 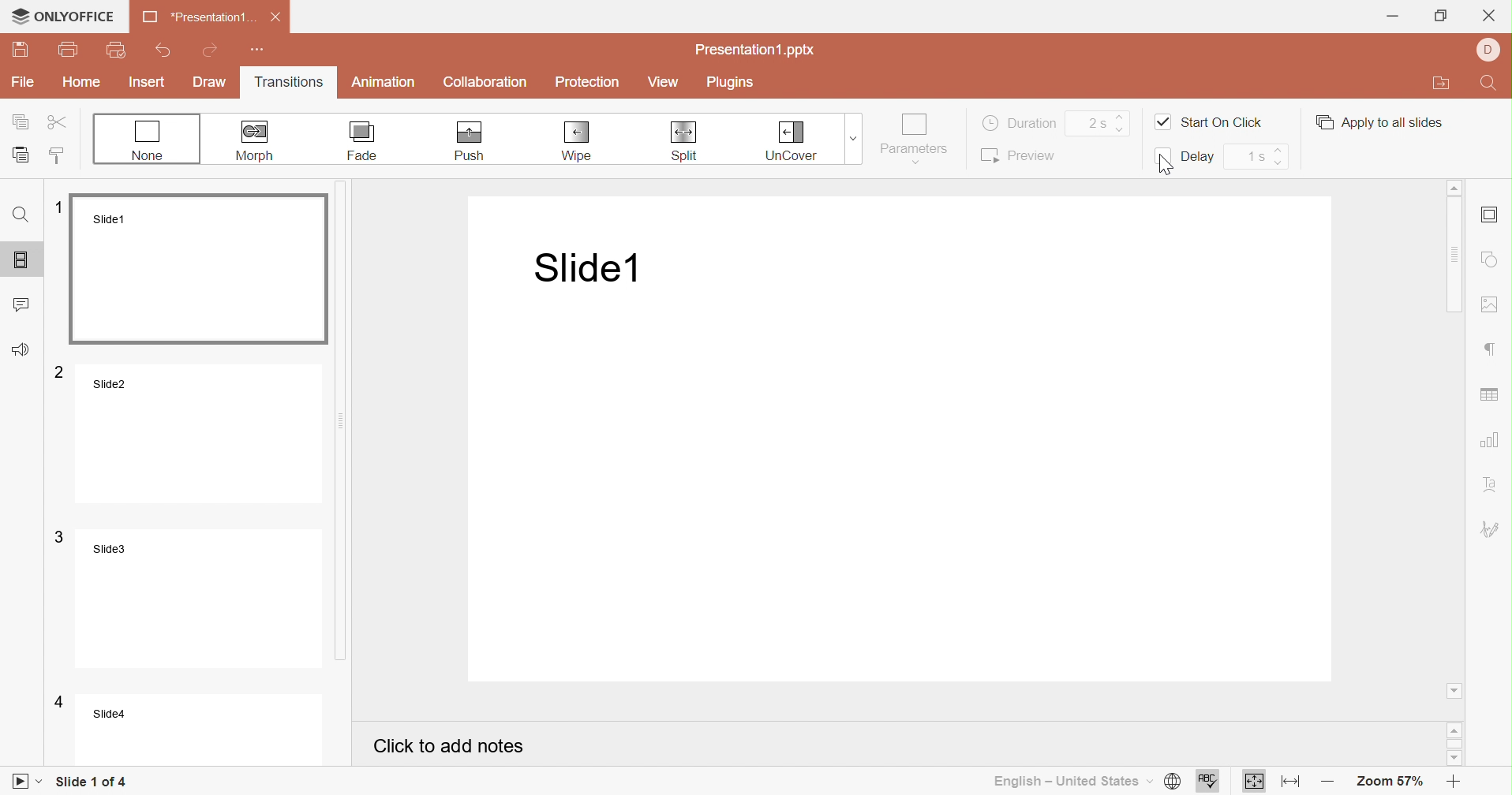 I want to click on Insert, so click(x=148, y=83).